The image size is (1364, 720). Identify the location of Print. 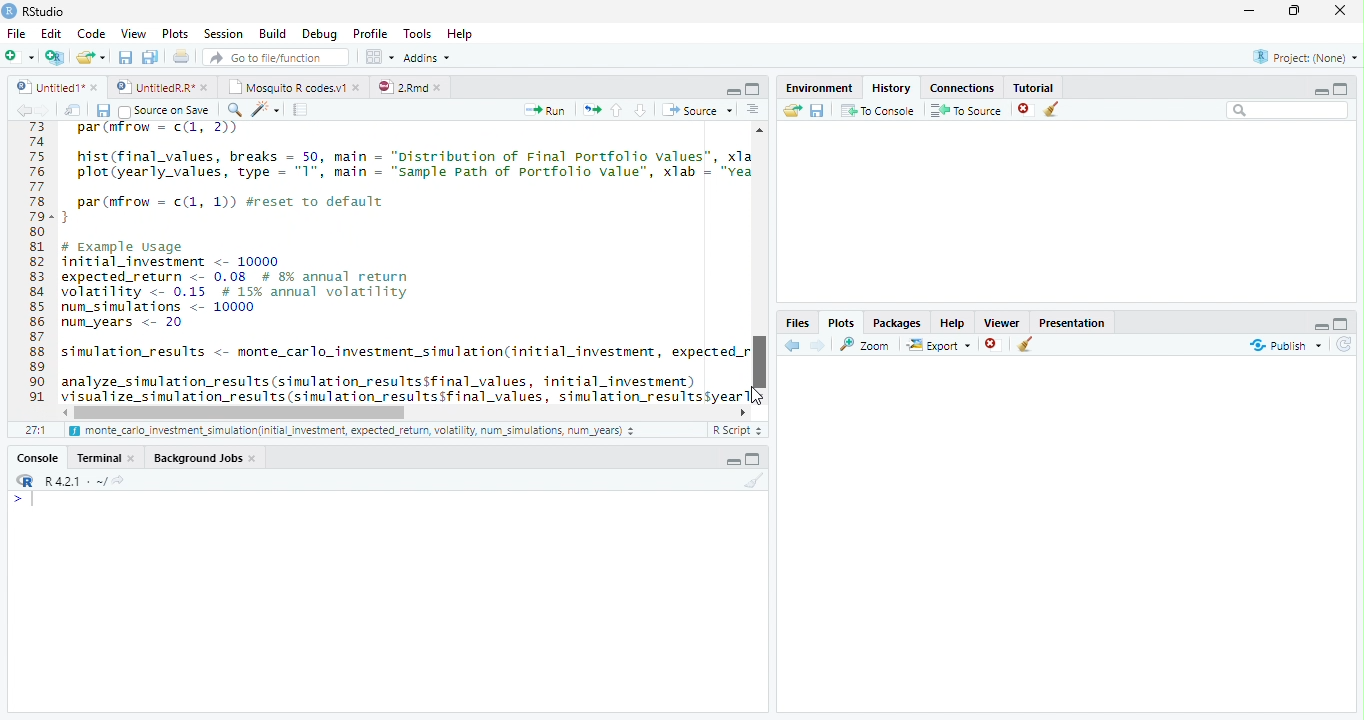
(181, 56).